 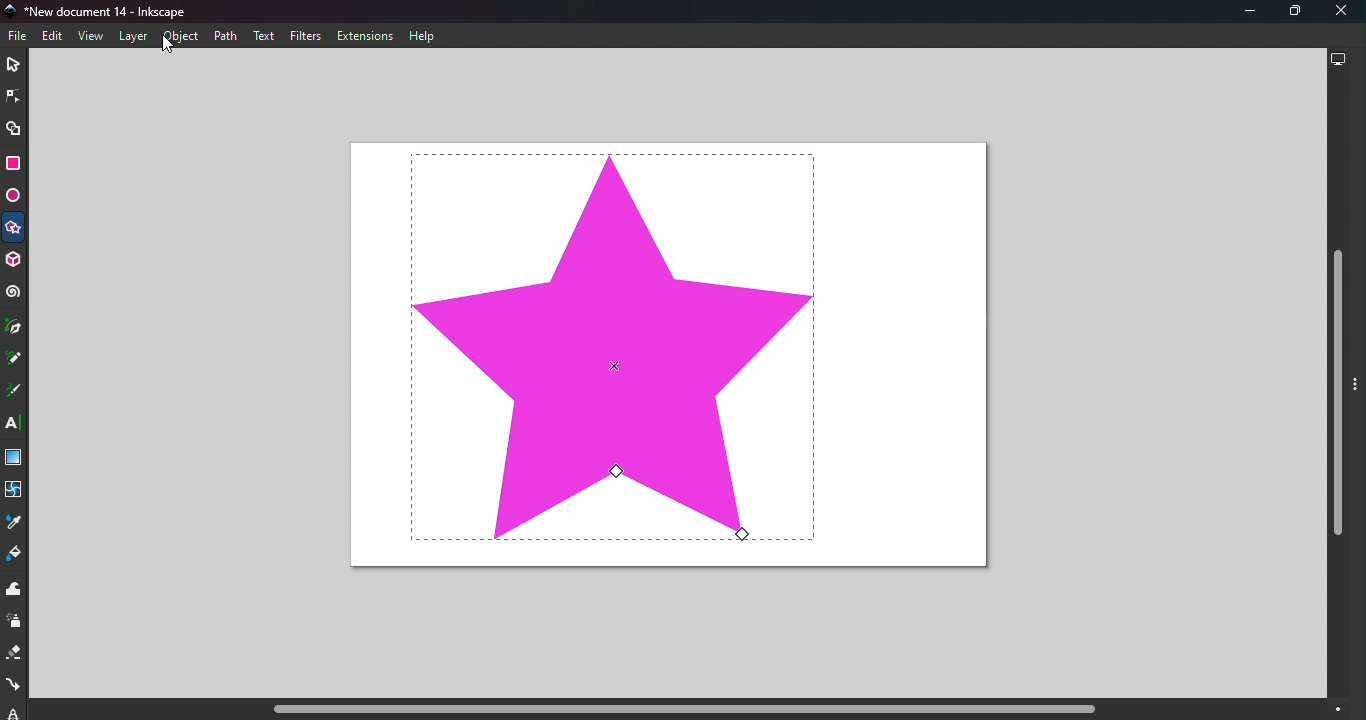 I want to click on Dropper tool, so click(x=12, y=526).